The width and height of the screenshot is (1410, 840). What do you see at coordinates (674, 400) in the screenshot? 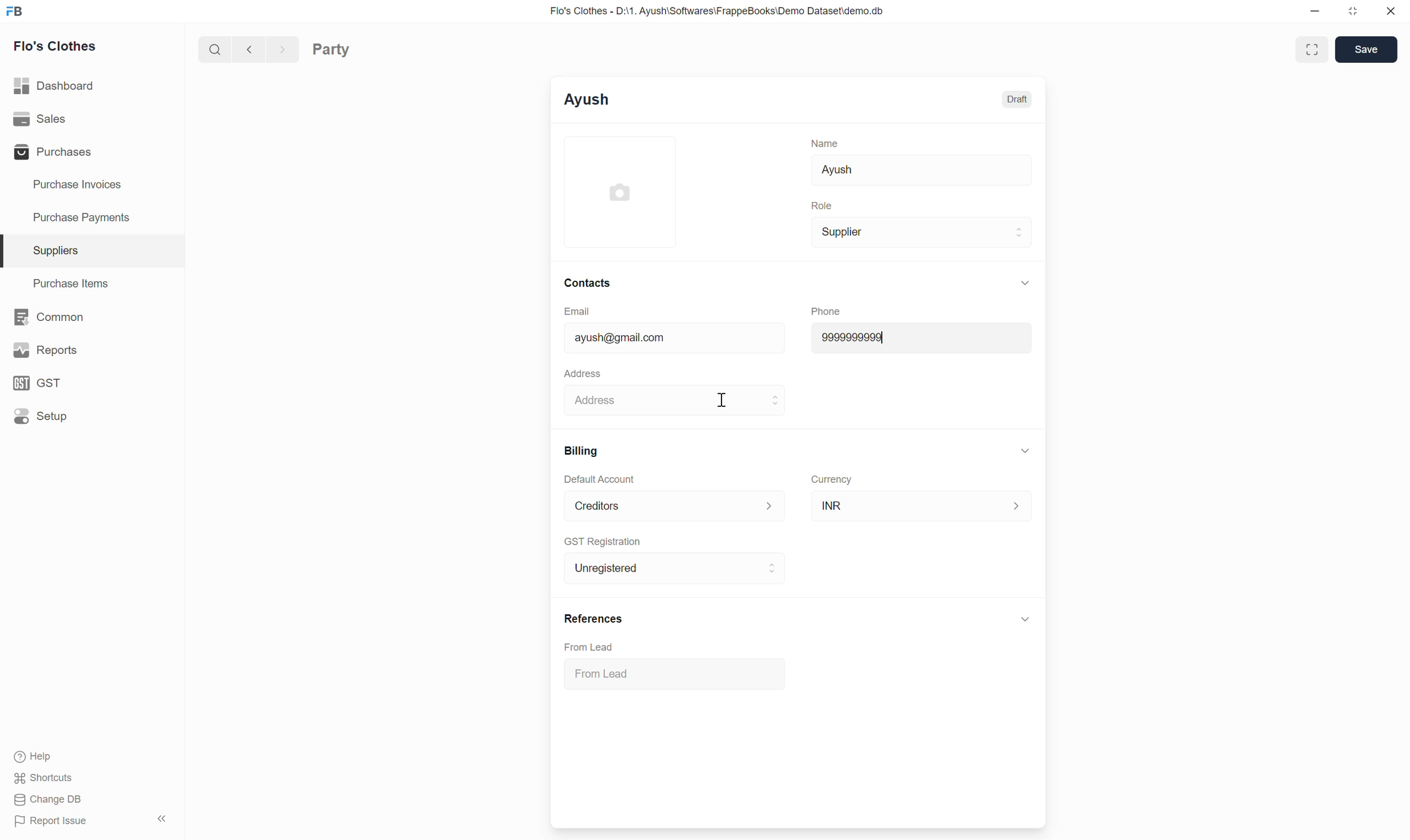
I see `Address` at bounding box center [674, 400].